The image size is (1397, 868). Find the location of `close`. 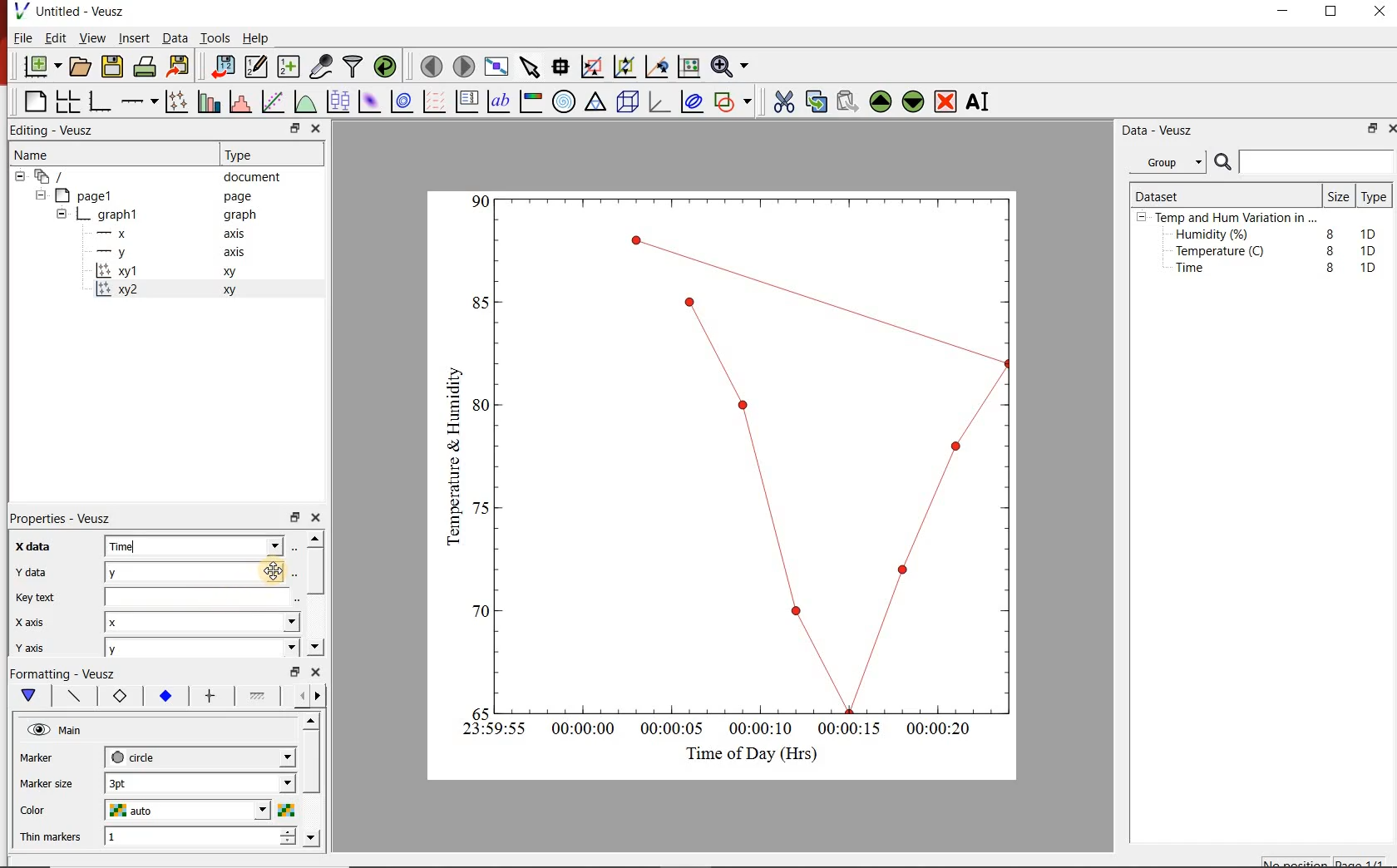

close is located at coordinates (1380, 12).